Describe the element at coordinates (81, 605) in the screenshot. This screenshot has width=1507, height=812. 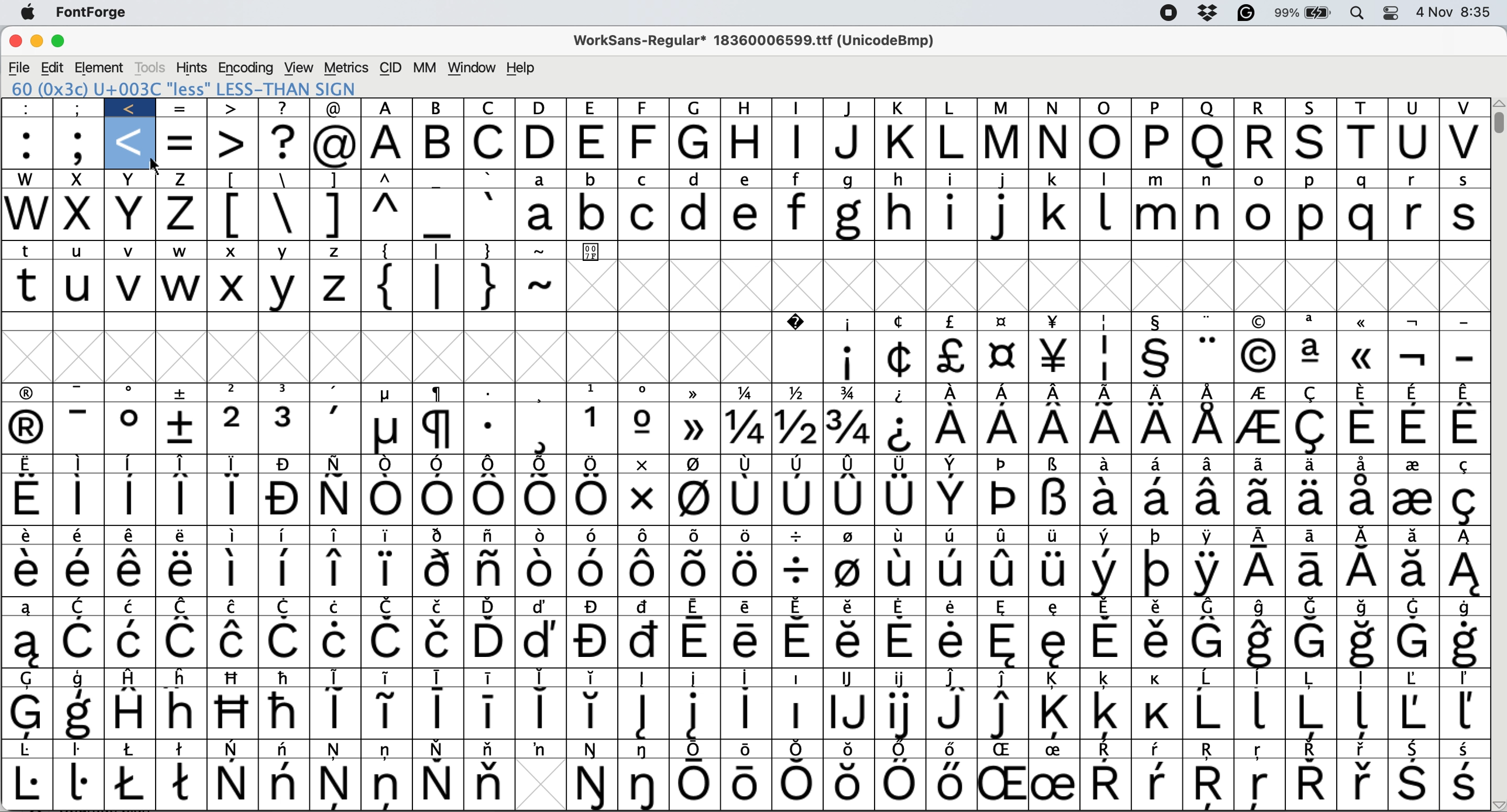
I see `symbol` at that location.